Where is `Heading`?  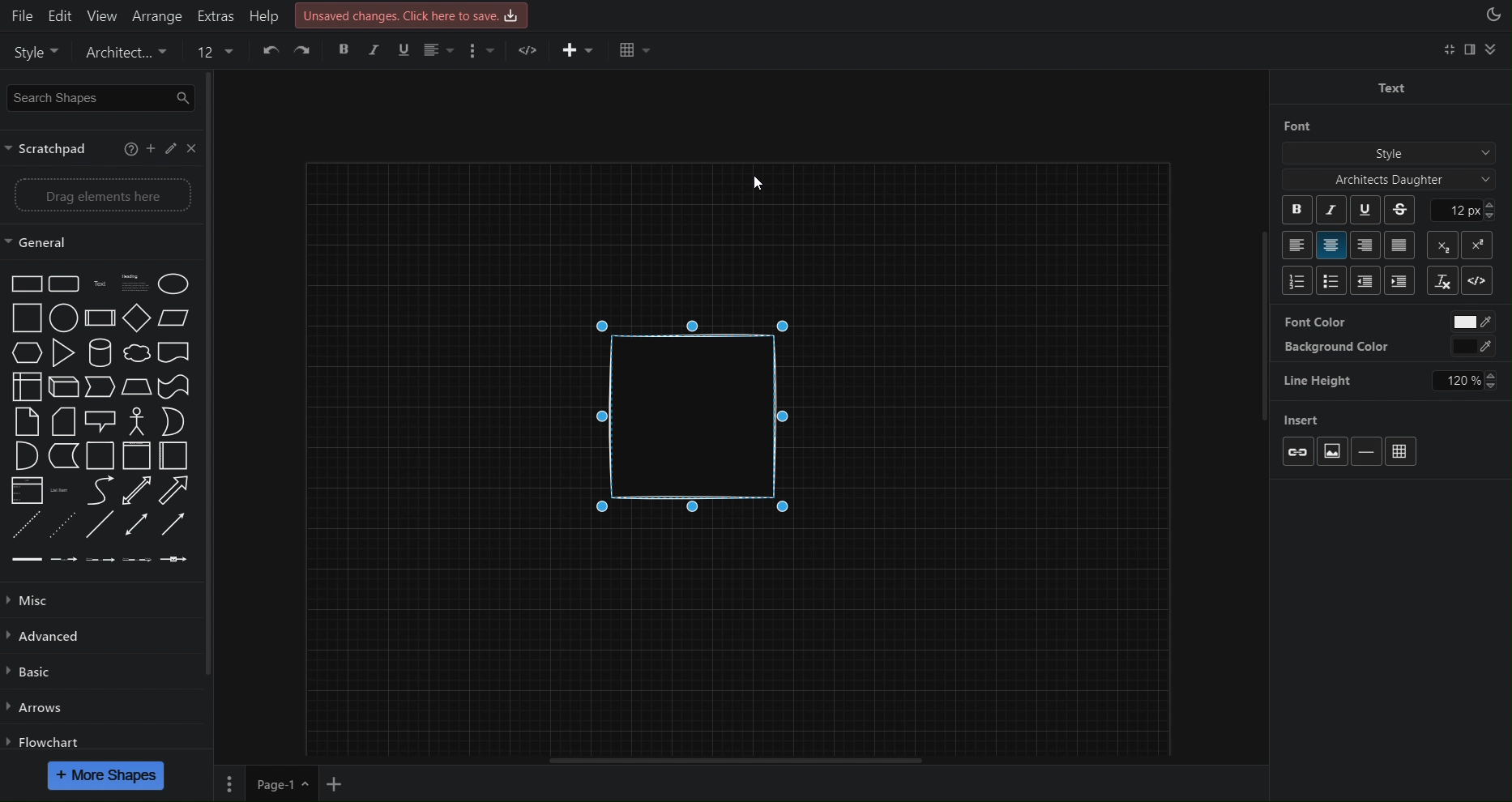
Heading is located at coordinates (1400, 279).